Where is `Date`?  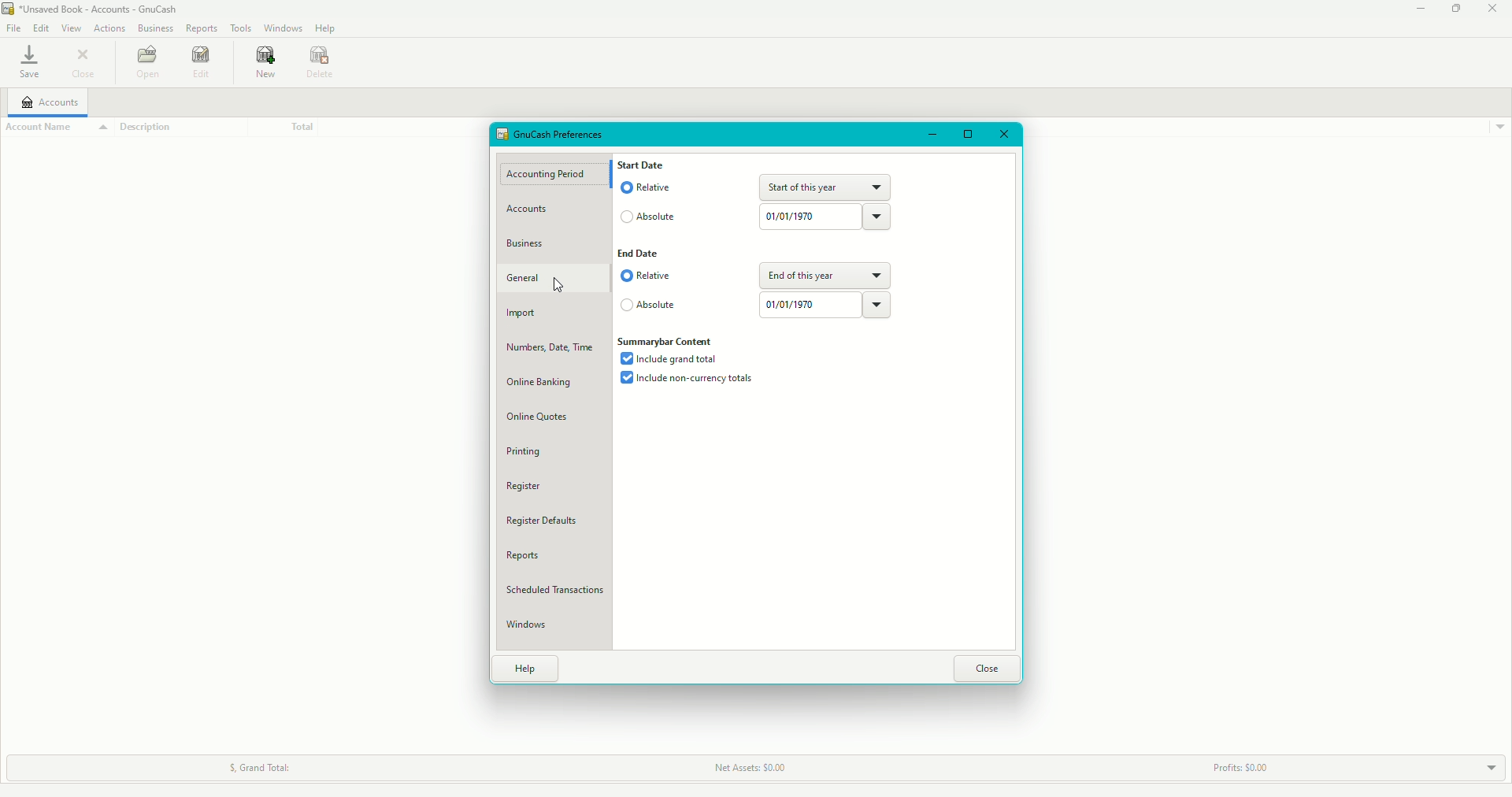 Date is located at coordinates (323, 63).